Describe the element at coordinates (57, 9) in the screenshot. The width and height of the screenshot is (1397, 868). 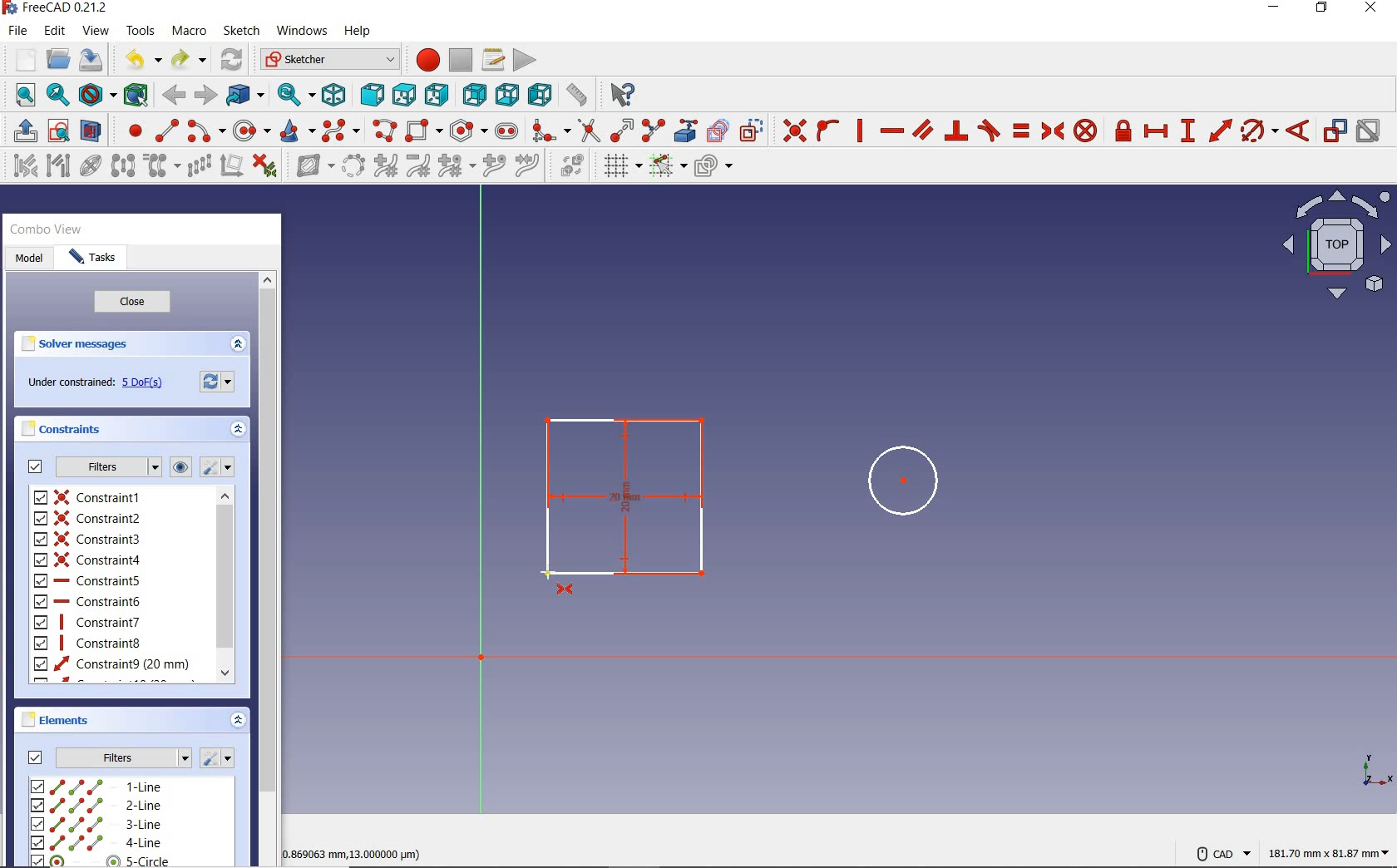
I see `FreeCAD 0.21.2` at that location.